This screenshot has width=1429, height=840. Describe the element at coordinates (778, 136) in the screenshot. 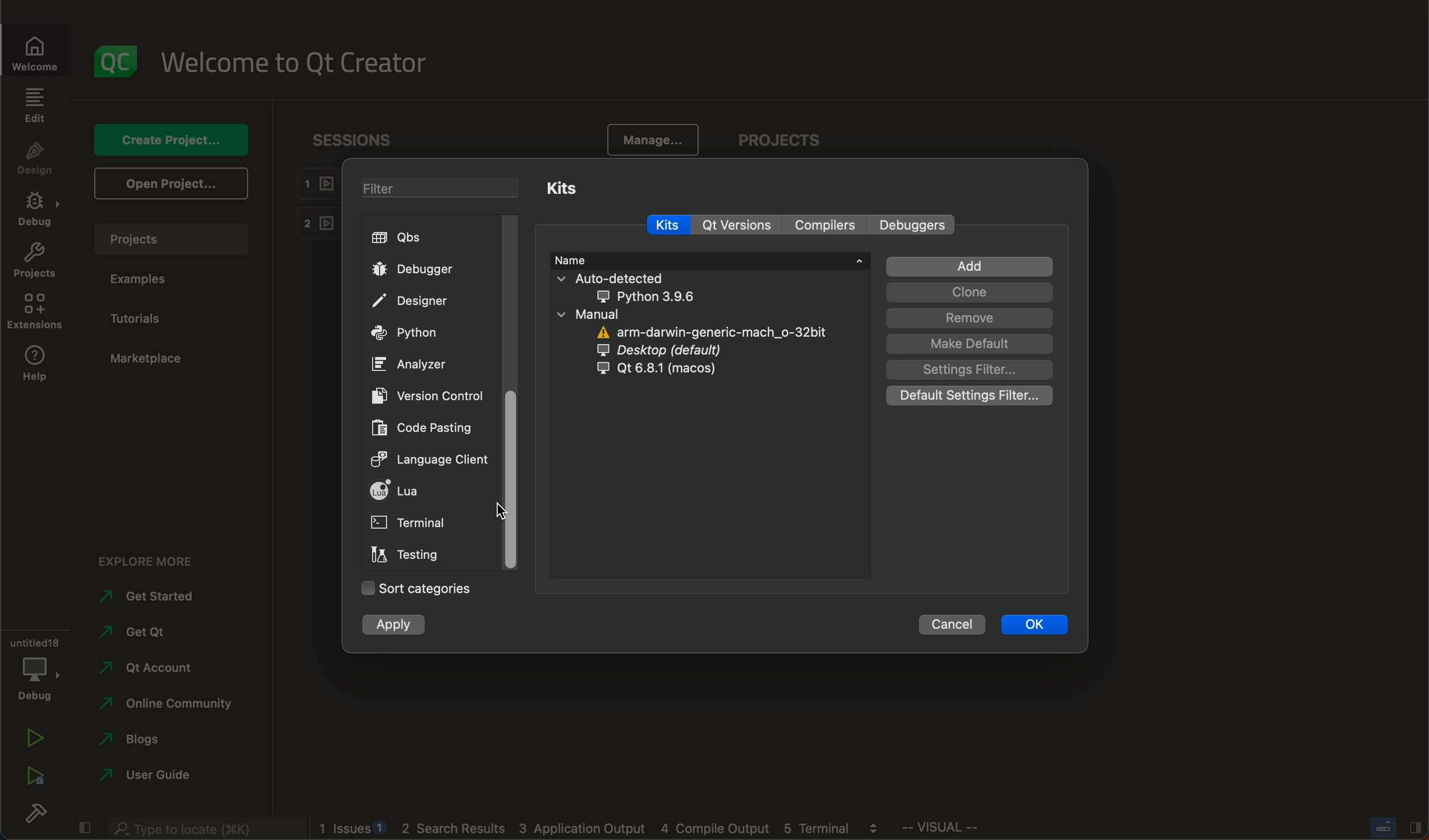

I see `projects` at that location.